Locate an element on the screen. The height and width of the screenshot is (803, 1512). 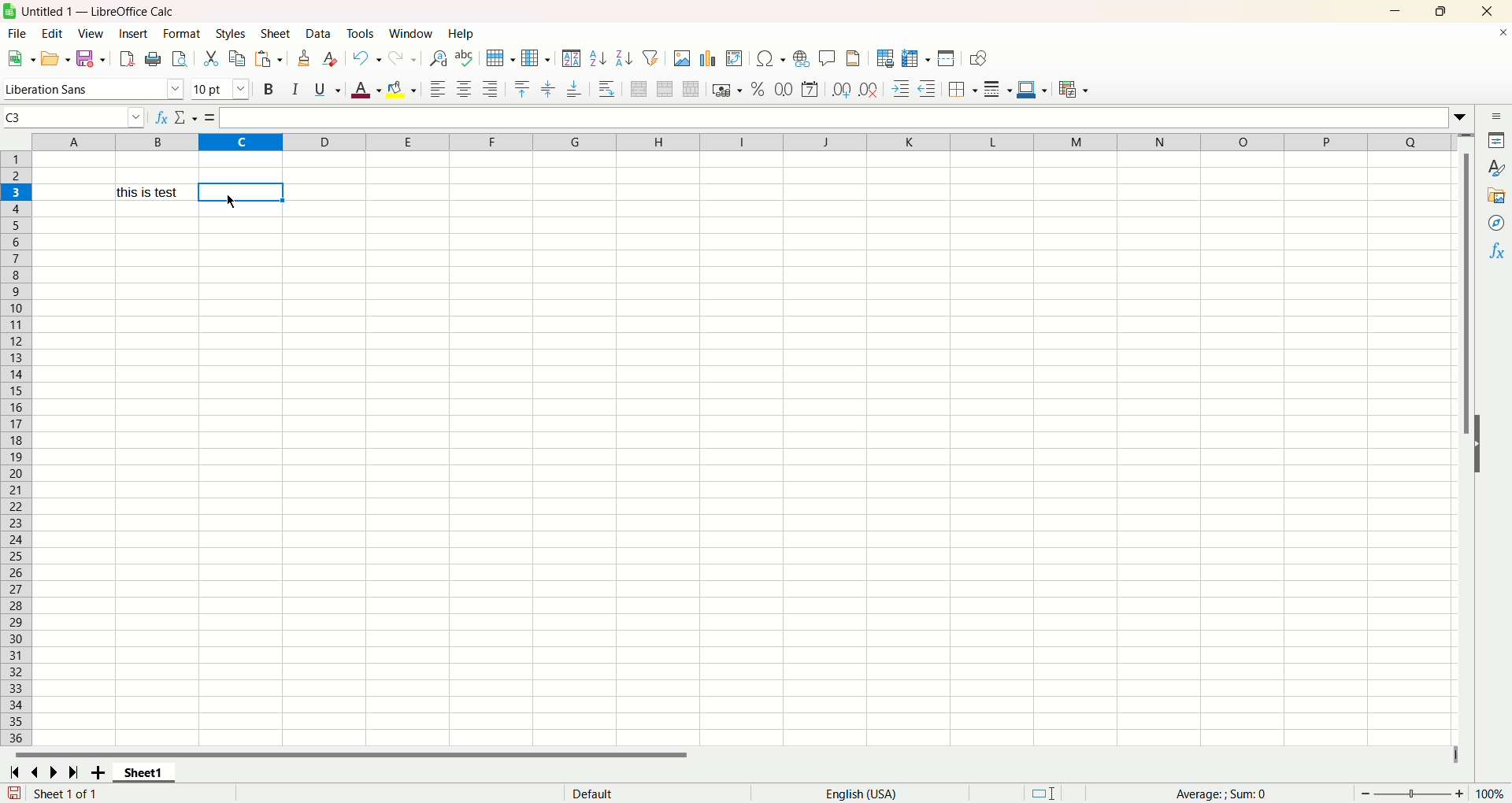
sheet is located at coordinates (277, 35).